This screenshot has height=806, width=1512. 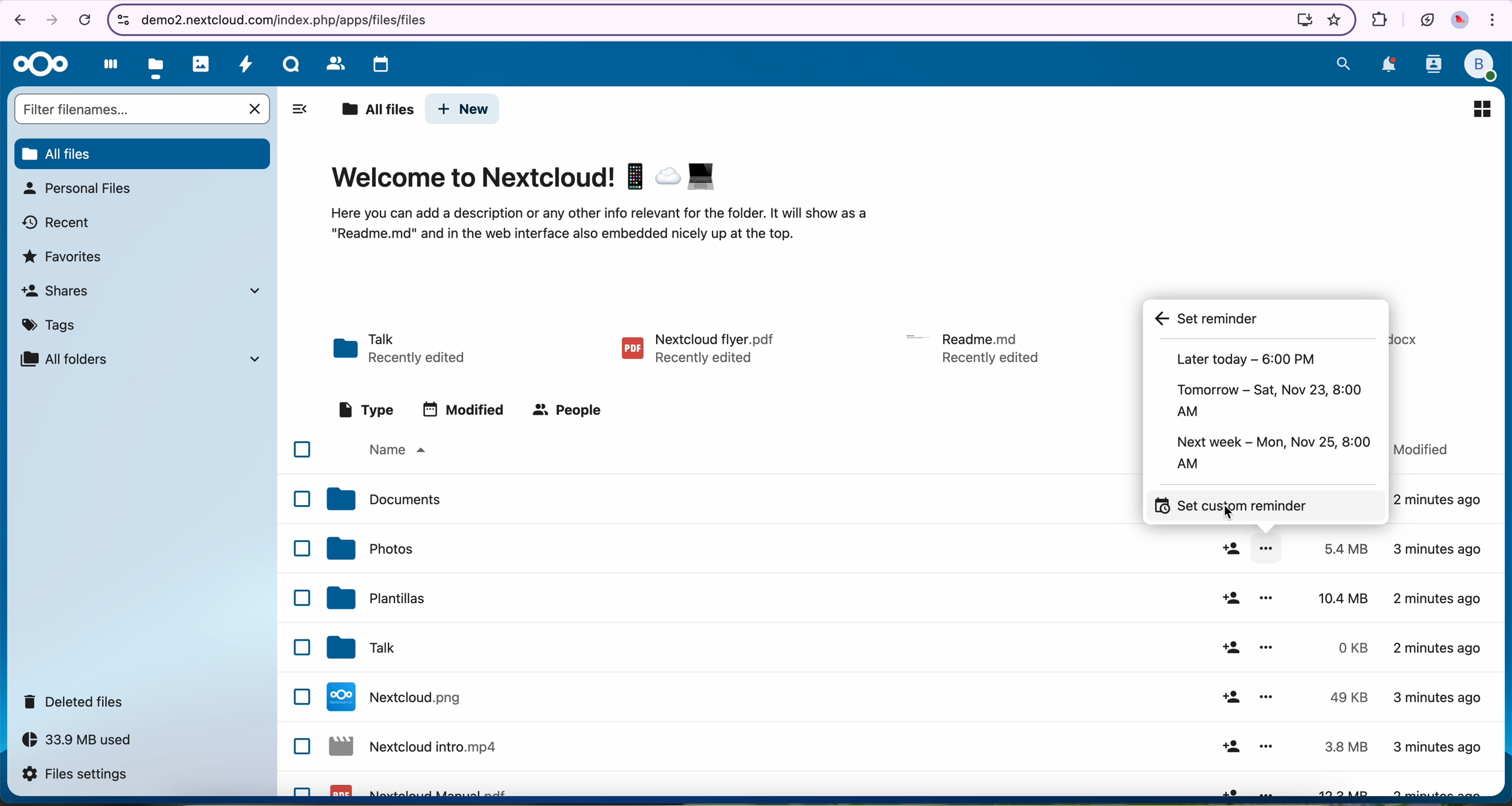 What do you see at coordinates (147, 293) in the screenshot?
I see `shares` at bounding box center [147, 293].